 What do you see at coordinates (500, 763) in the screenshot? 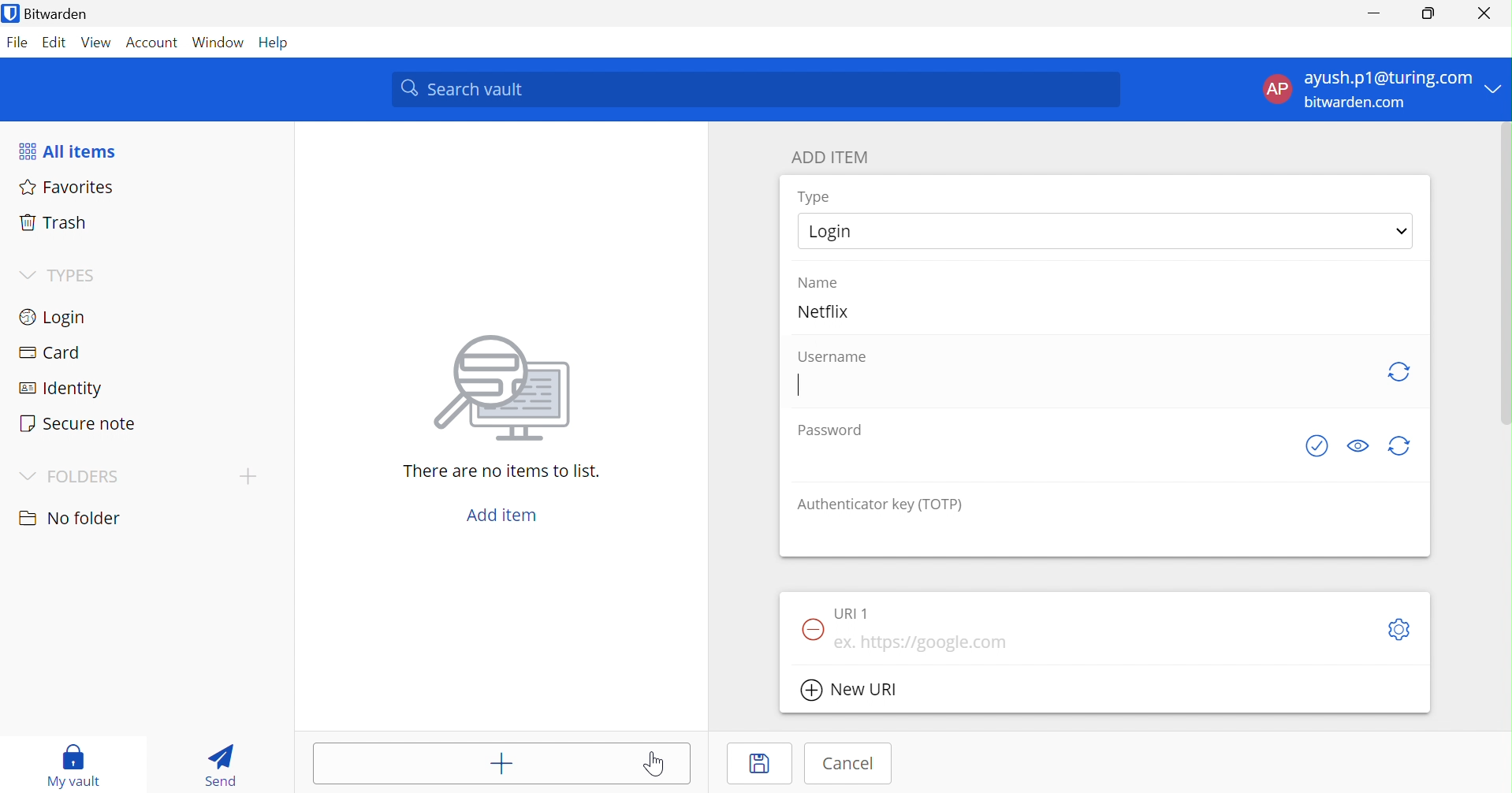
I see `Add item` at bounding box center [500, 763].